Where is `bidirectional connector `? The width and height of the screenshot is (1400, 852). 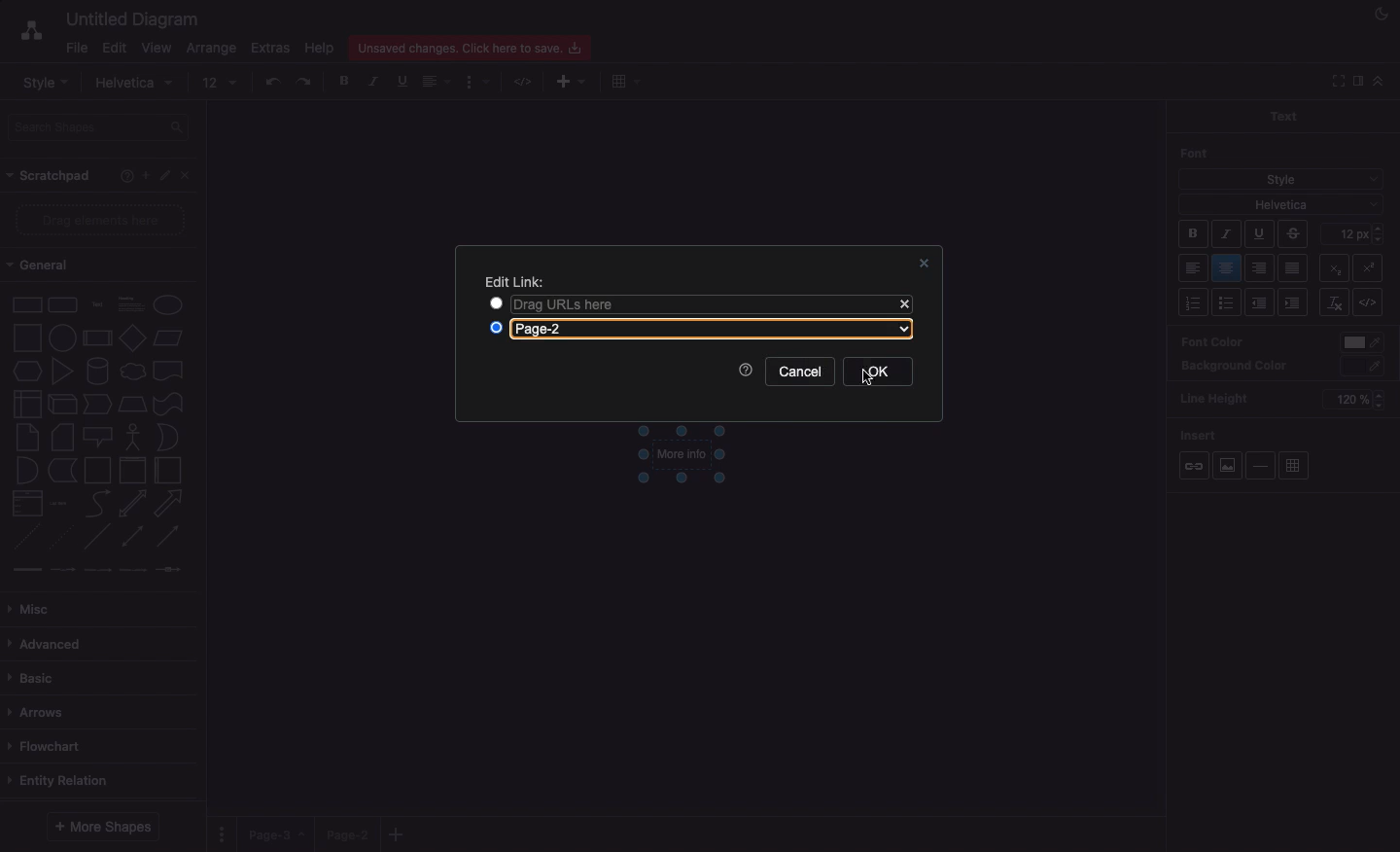 bidirectional connector  is located at coordinates (131, 536).